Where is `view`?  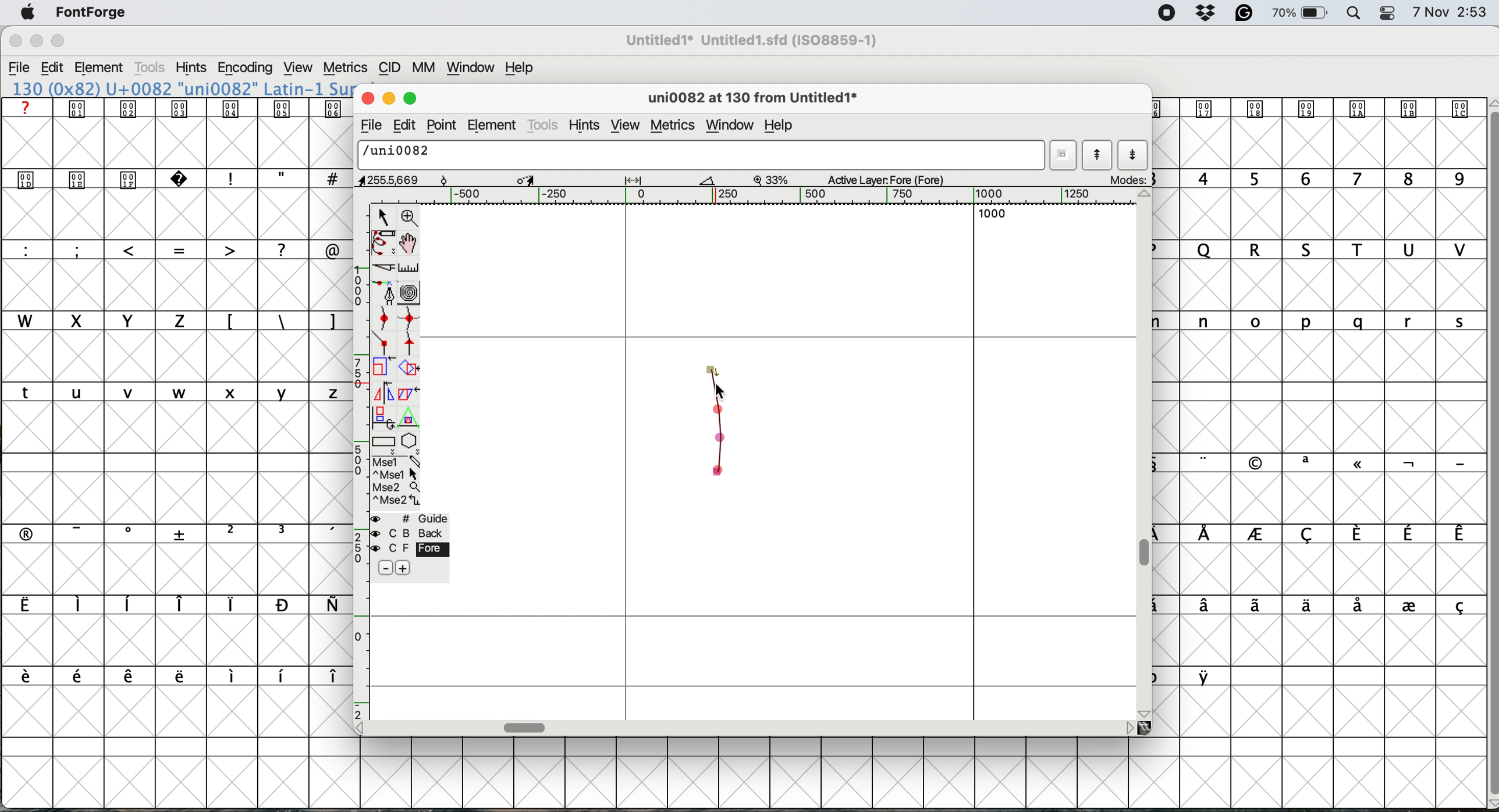
view is located at coordinates (626, 126).